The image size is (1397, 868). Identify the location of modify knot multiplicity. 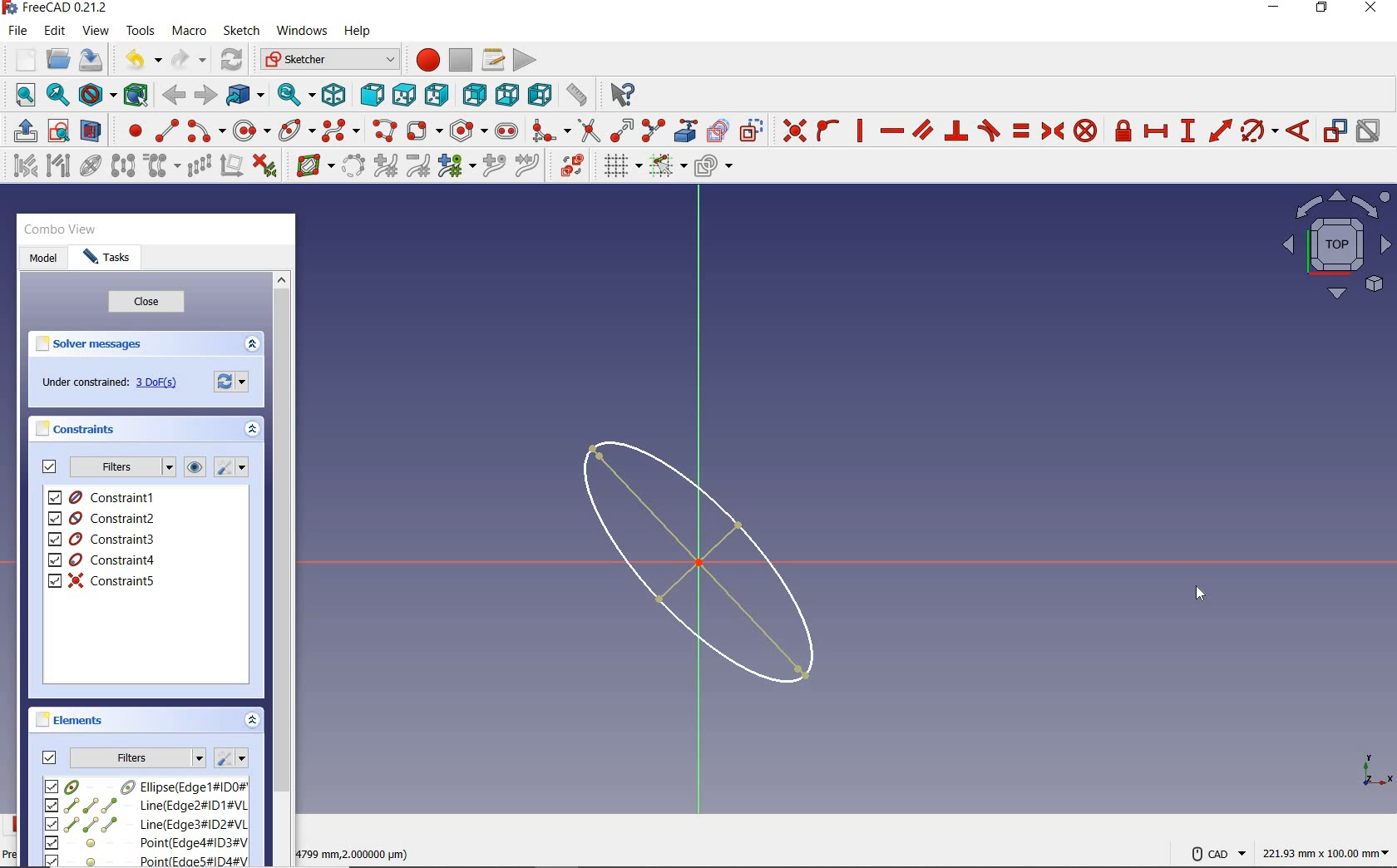
(456, 165).